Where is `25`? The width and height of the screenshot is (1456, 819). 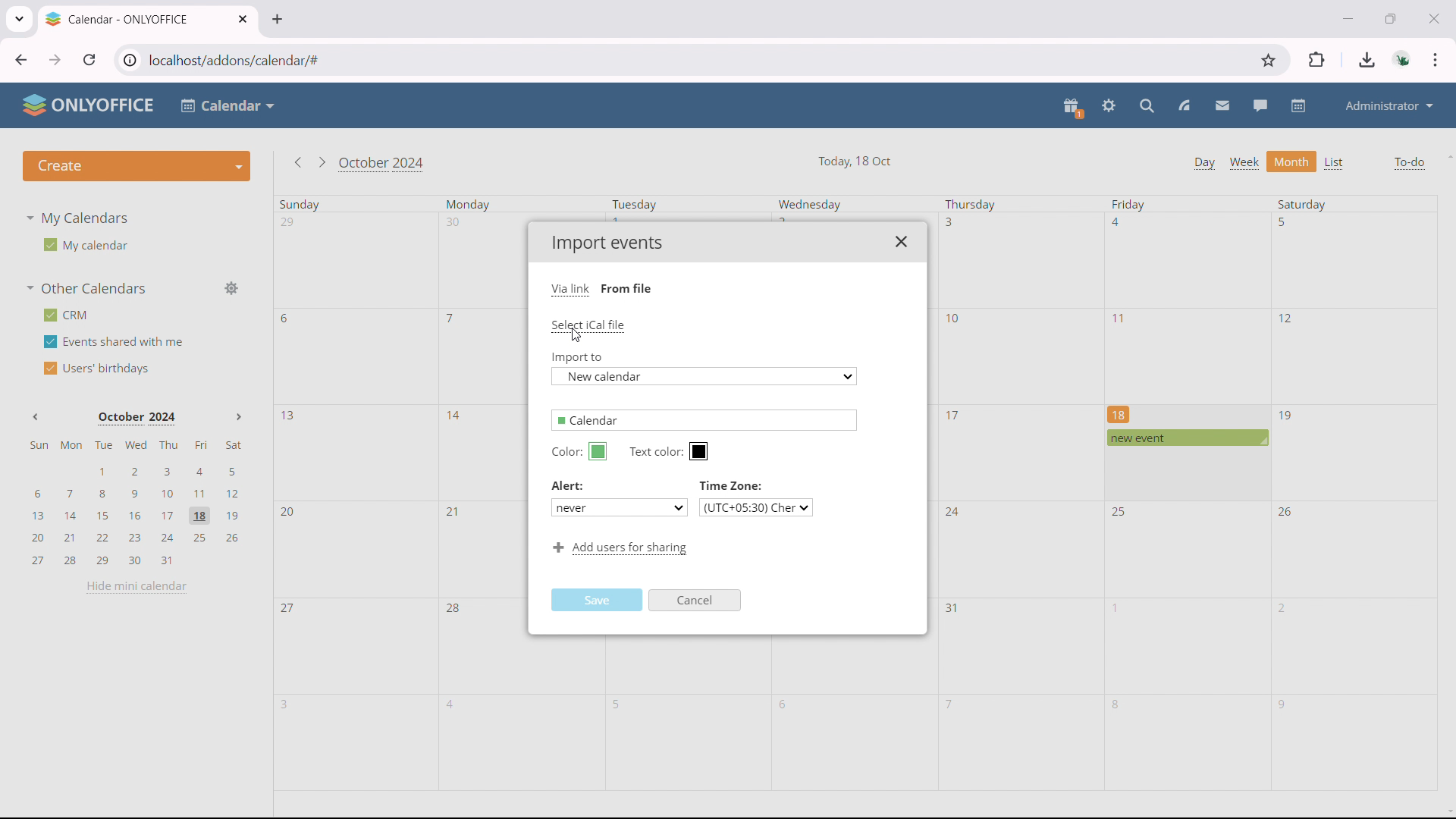
25 is located at coordinates (1122, 512).